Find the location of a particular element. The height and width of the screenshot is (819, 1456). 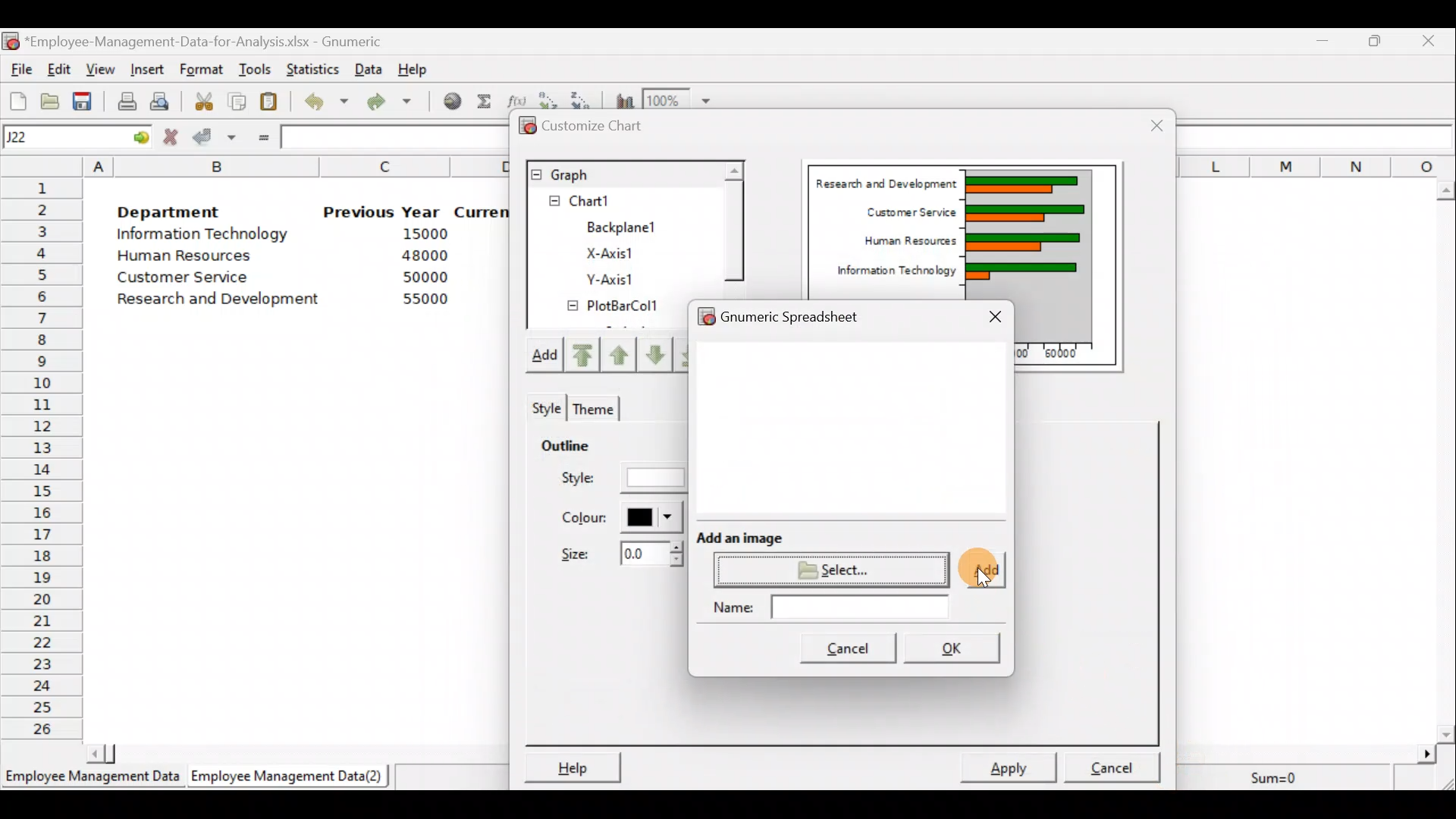

Move up is located at coordinates (652, 353).